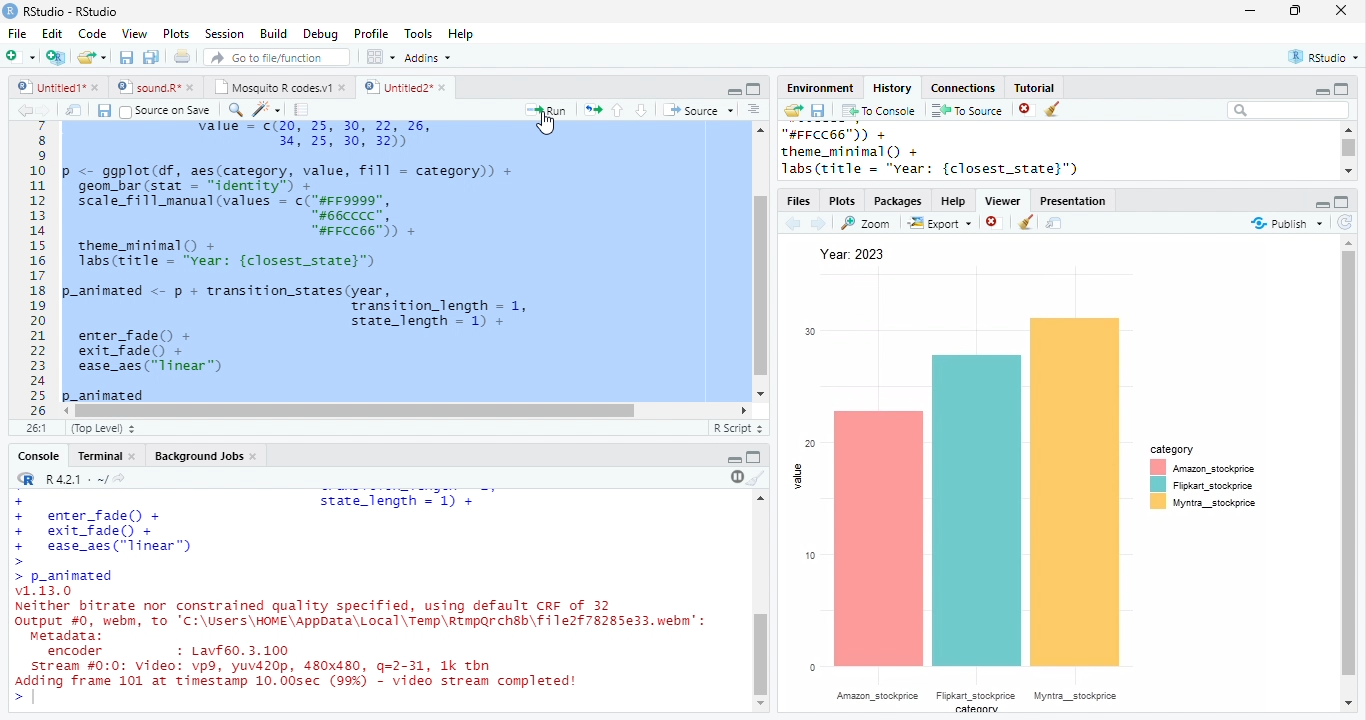 This screenshot has height=720, width=1366. Describe the element at coordinates (793, 223) in the screenshot. I see `back` at that location.